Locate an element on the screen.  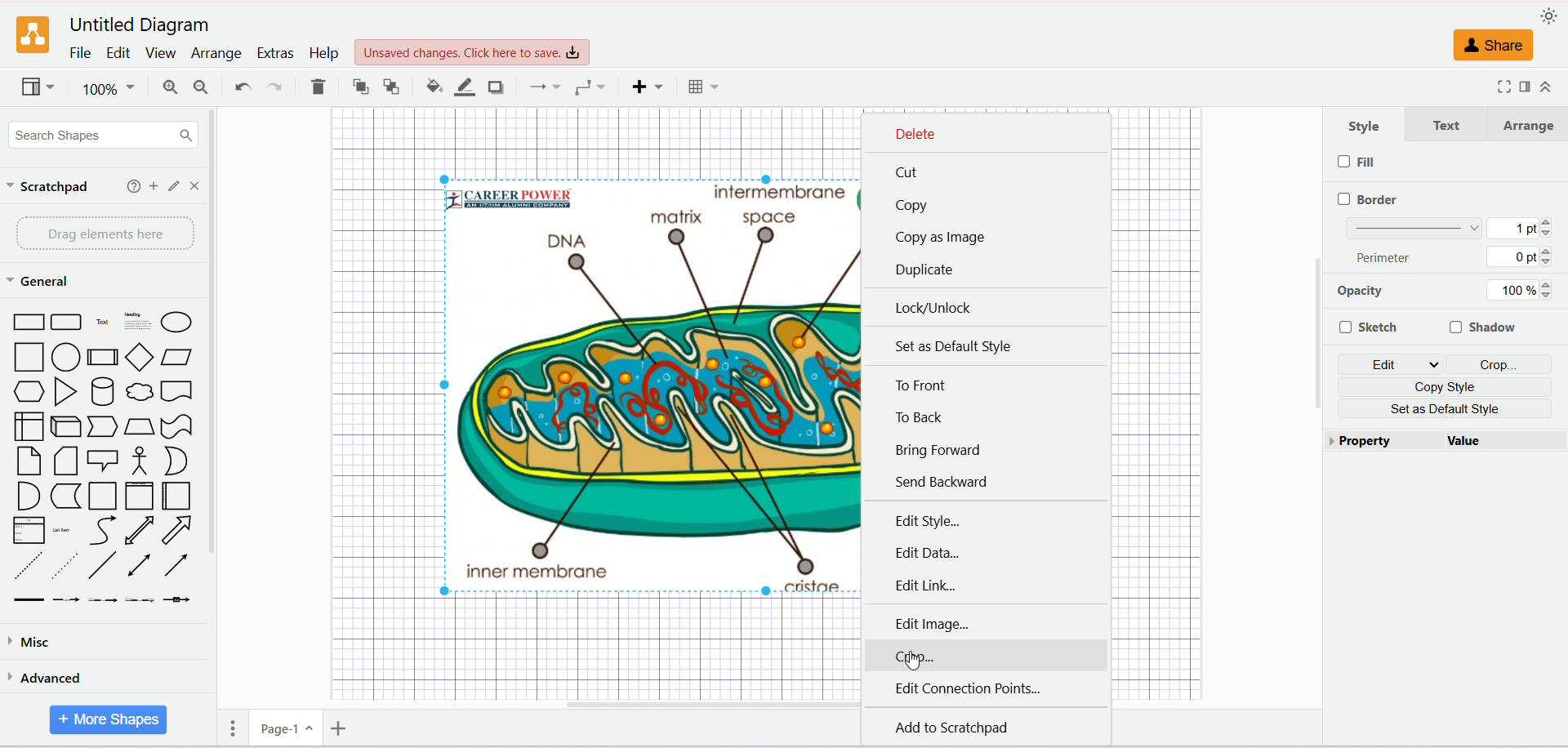
Ellipse is located at coordinates (177, 323).